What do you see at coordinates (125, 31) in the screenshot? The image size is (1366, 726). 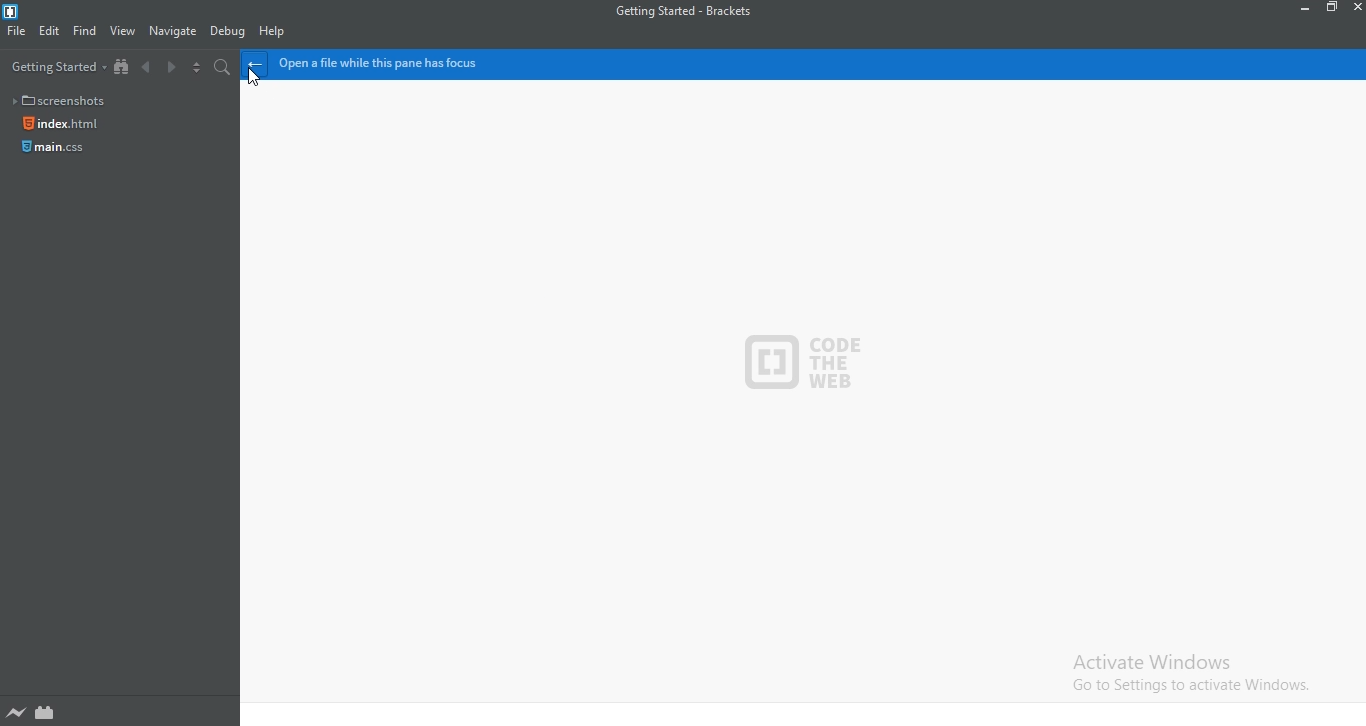 I see `View` at bounding box center [125, 31].